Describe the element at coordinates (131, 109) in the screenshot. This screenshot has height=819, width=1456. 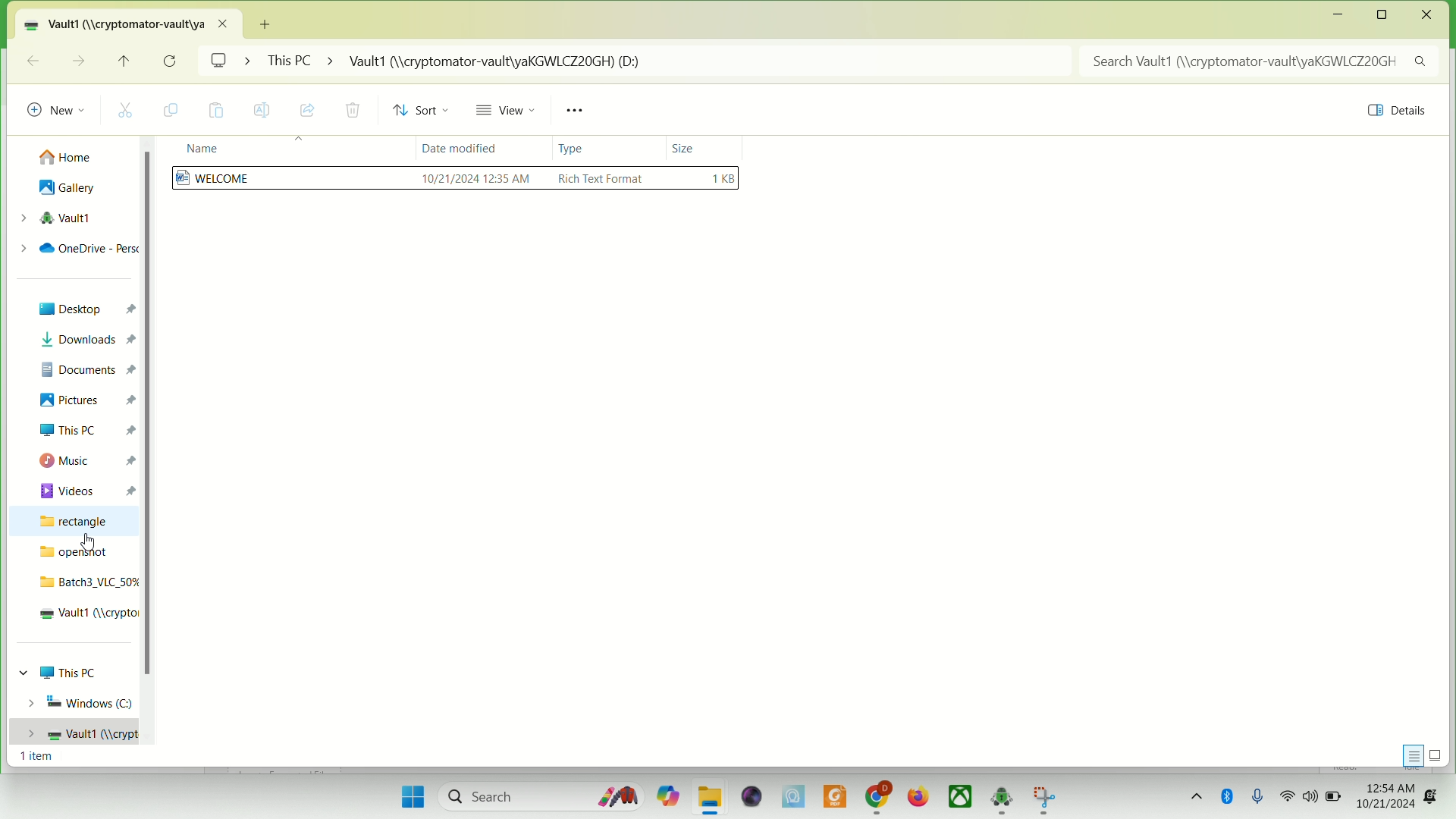
I see `cut` at that location.